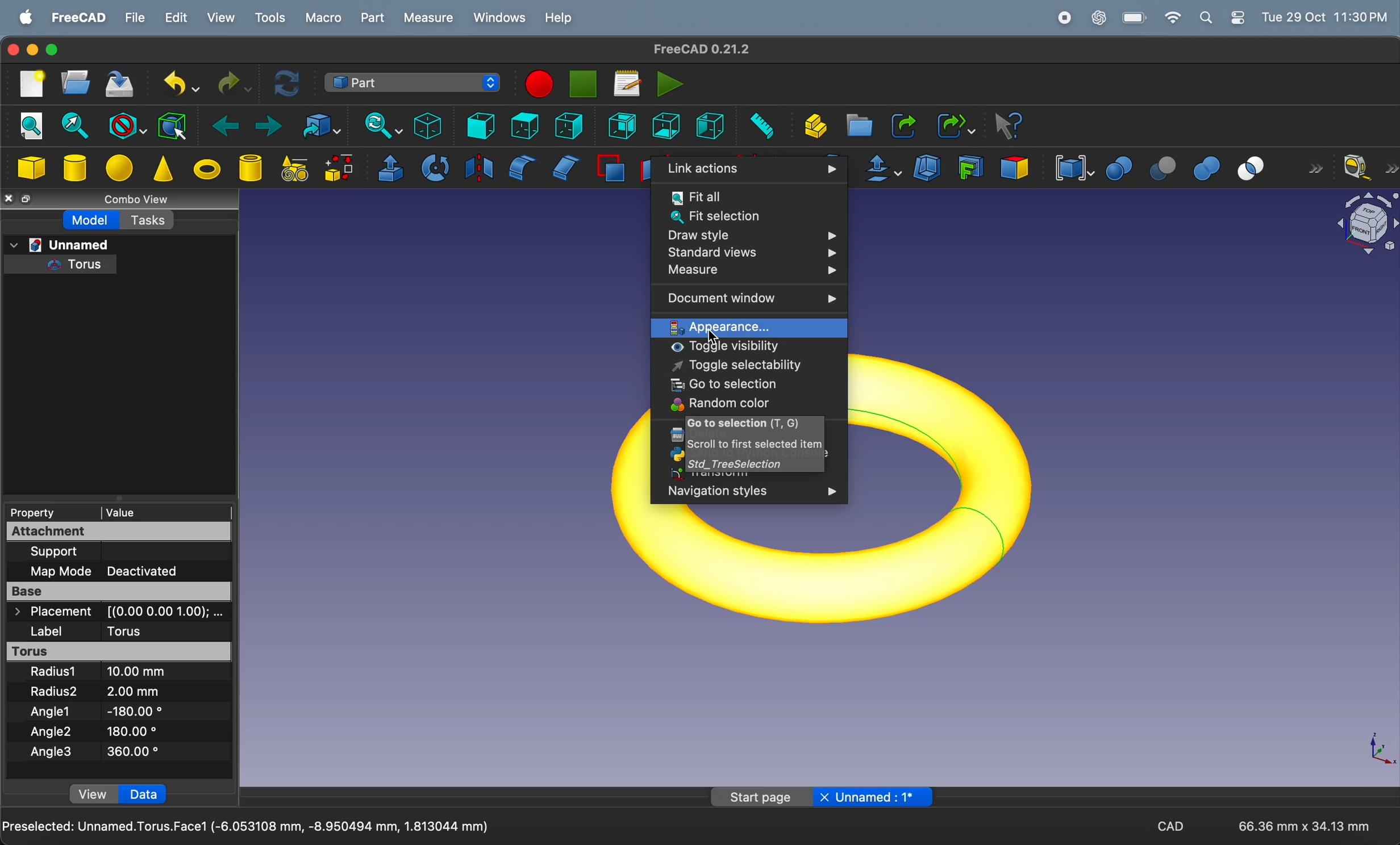 The height and width of the screenshot is (845, 1400). What do you see at coordinates (163, 513) in the screenshot?
I see `value` at bounding box center [163, 513].